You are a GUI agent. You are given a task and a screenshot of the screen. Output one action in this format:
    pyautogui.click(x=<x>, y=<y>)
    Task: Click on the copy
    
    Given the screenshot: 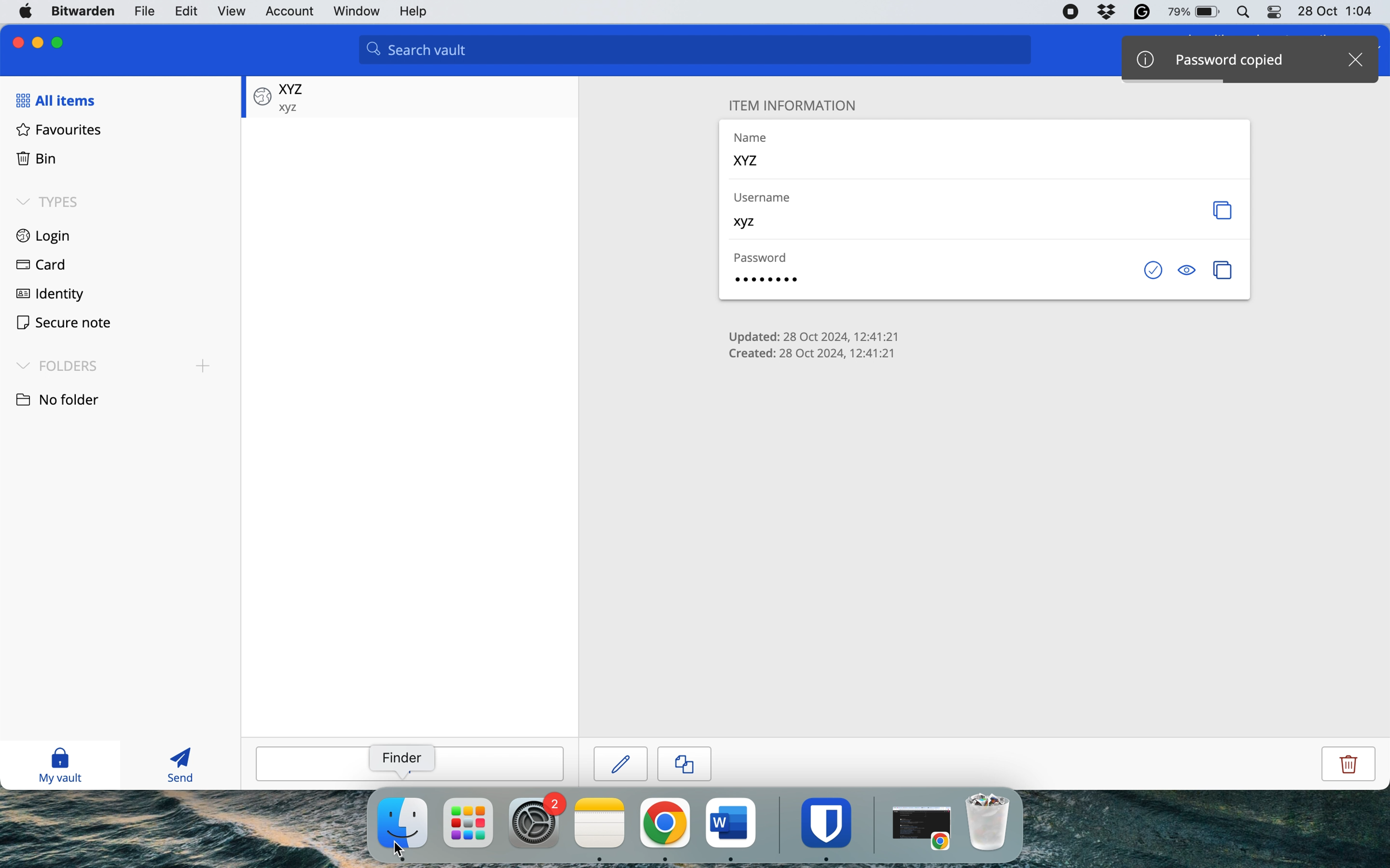 What is the action you would take?
    pyautogui.click(x=1226, y=210)
    